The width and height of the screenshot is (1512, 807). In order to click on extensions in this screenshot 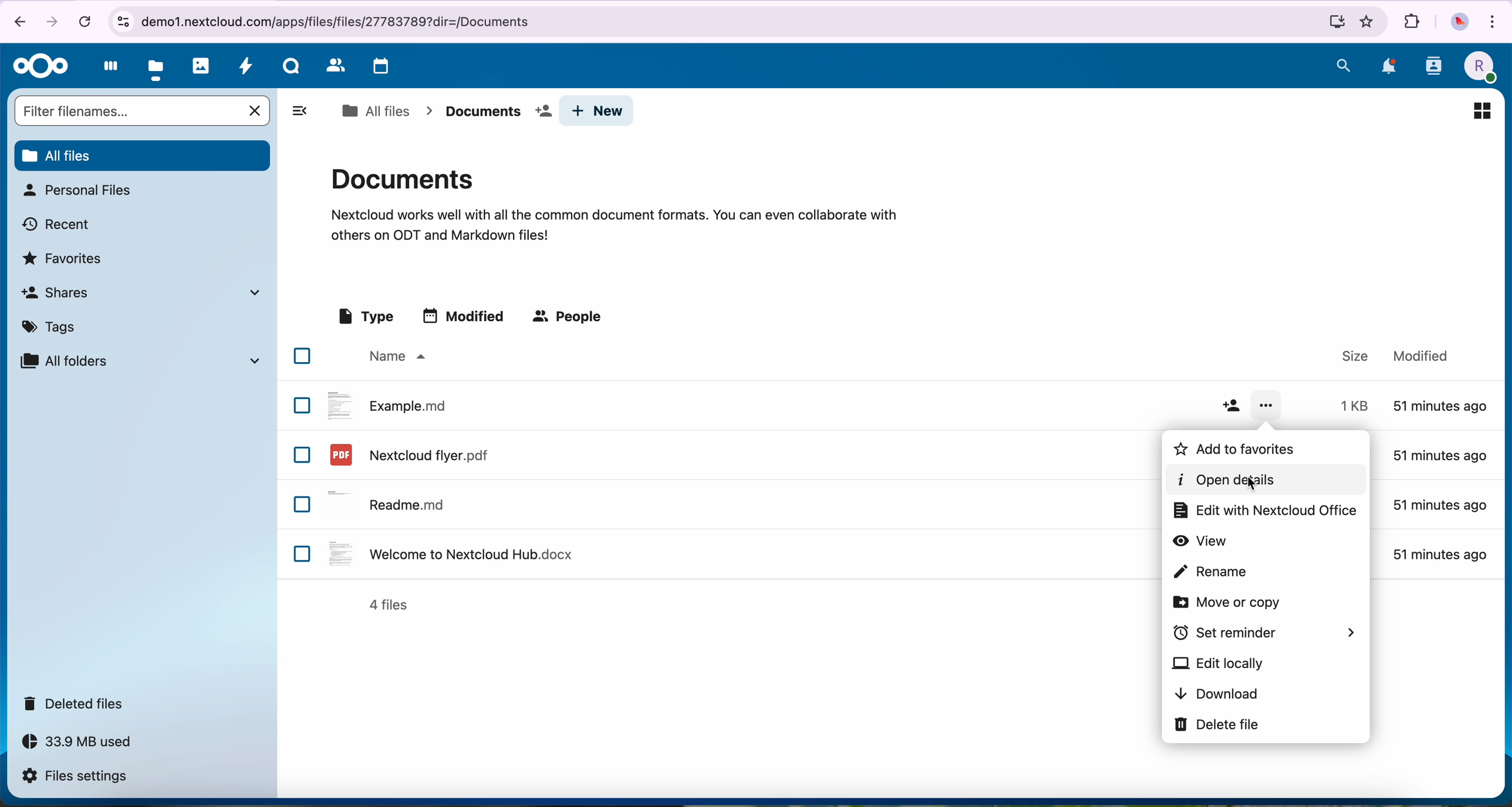, I will do `click(1412, 22)`.